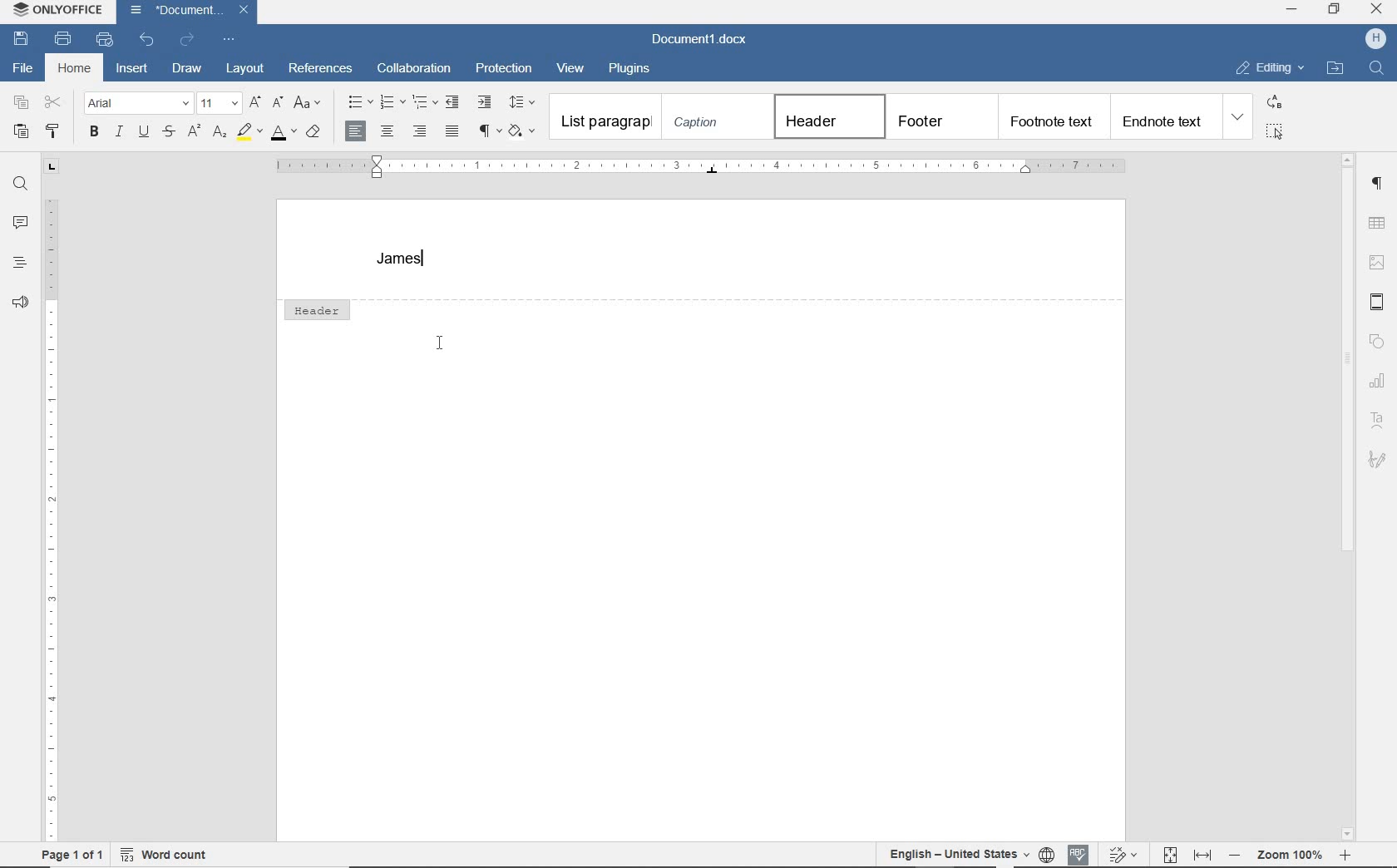  What do you see at coordinates (402, 260) in the screenshot?
I see `My Name Text Added` at bounding box center [402, 260].